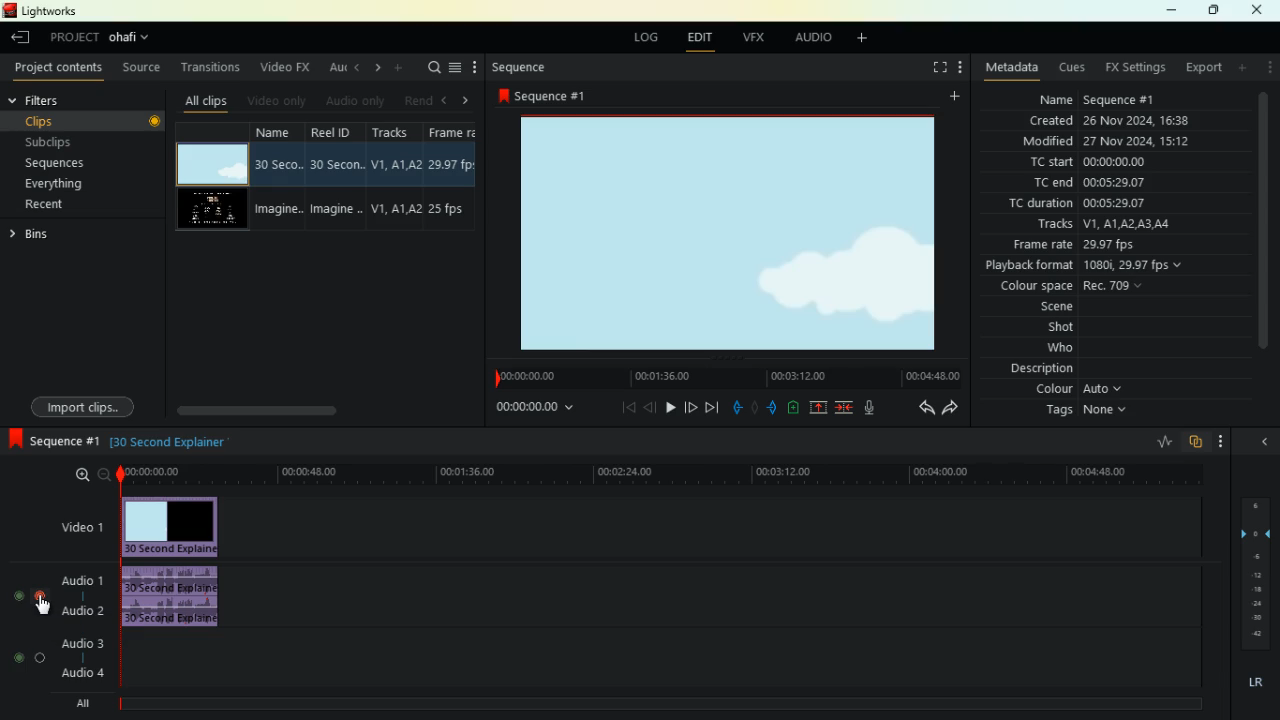  What do you see at coordinates (1104, 121) in the screenshot?
I see `created` at bounding box center [1104, 121].